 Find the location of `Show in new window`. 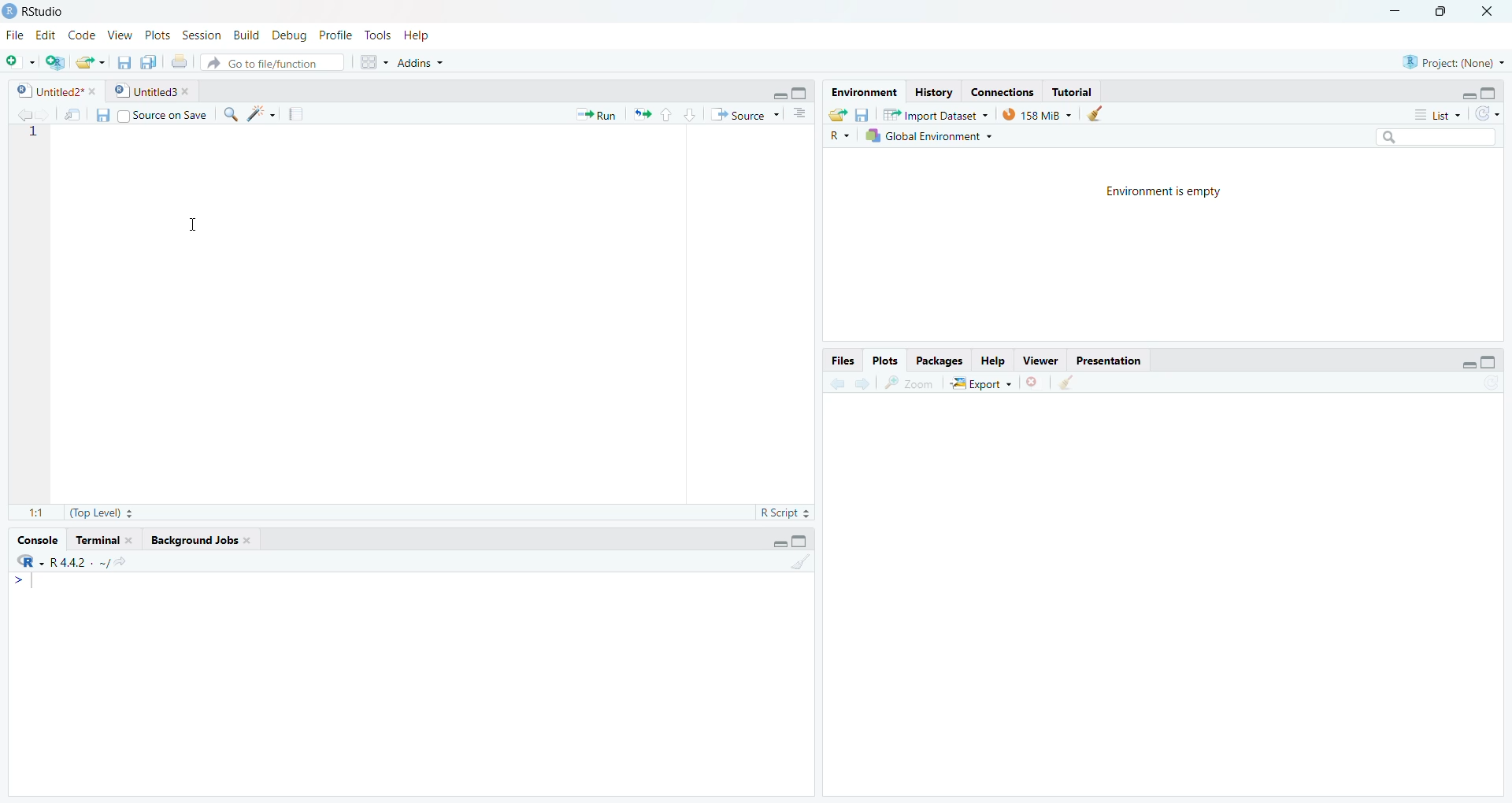

Show in new window is located at coordinates (69, 113).